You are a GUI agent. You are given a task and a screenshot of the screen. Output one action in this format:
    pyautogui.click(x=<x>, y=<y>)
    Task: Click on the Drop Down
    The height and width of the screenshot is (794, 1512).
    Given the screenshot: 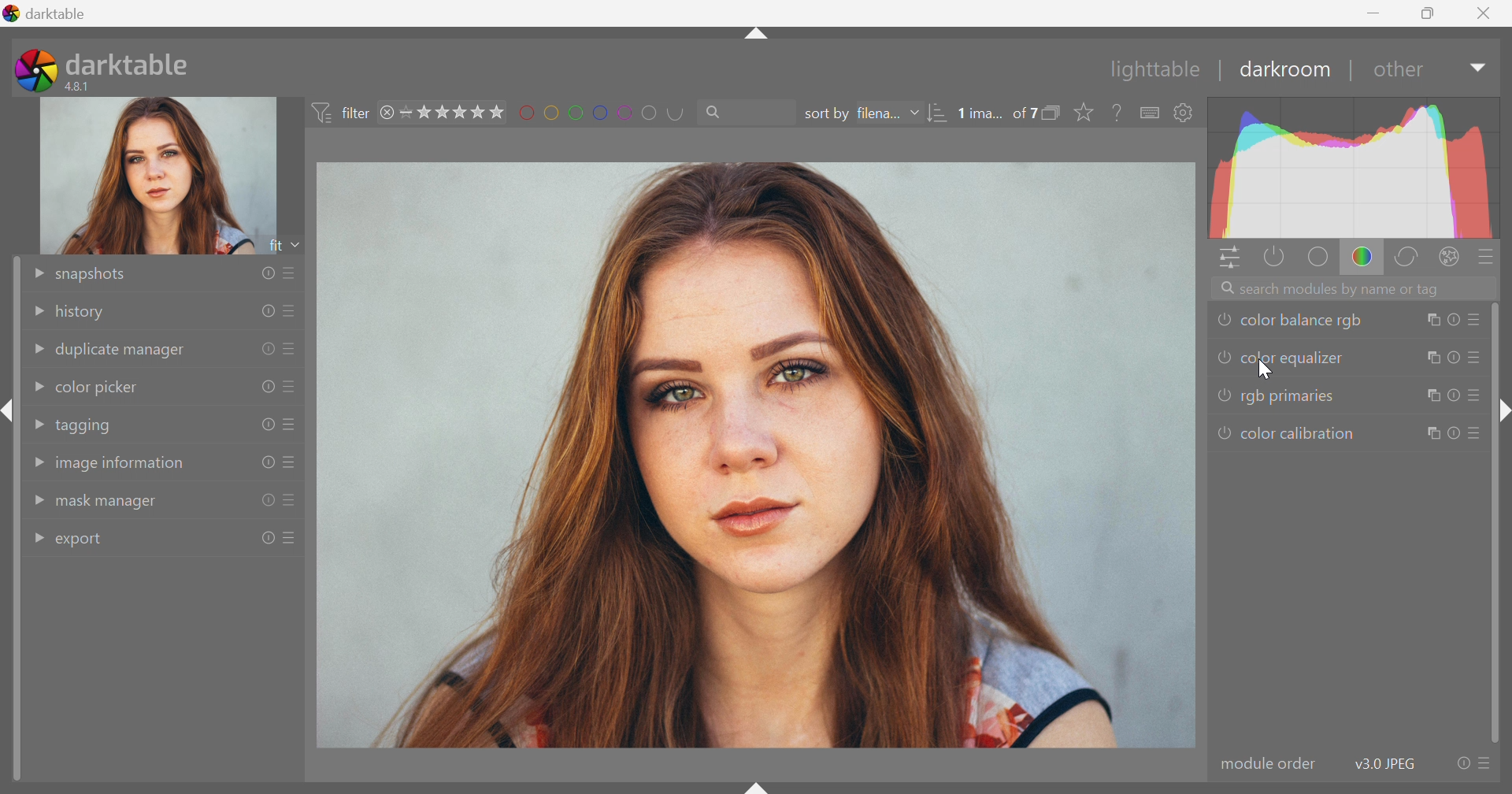 What is the action you would take?
    pyautogui.click(x=36, y=309)
    